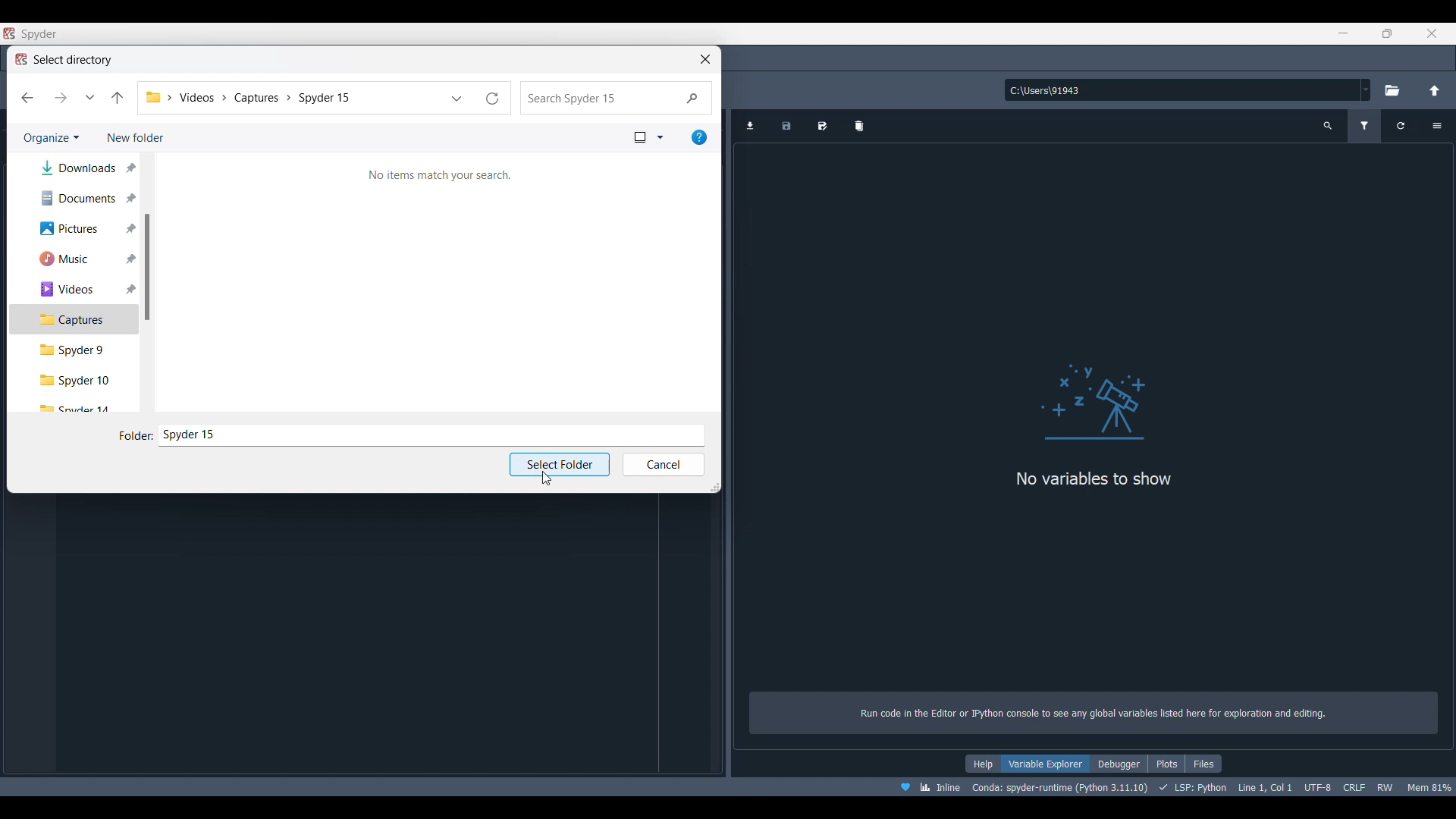 The height and width of the screenshot is (819, 1456). Describe the element at coordinates (822, 126) in the screenshot. I see `Save data as` at that location.